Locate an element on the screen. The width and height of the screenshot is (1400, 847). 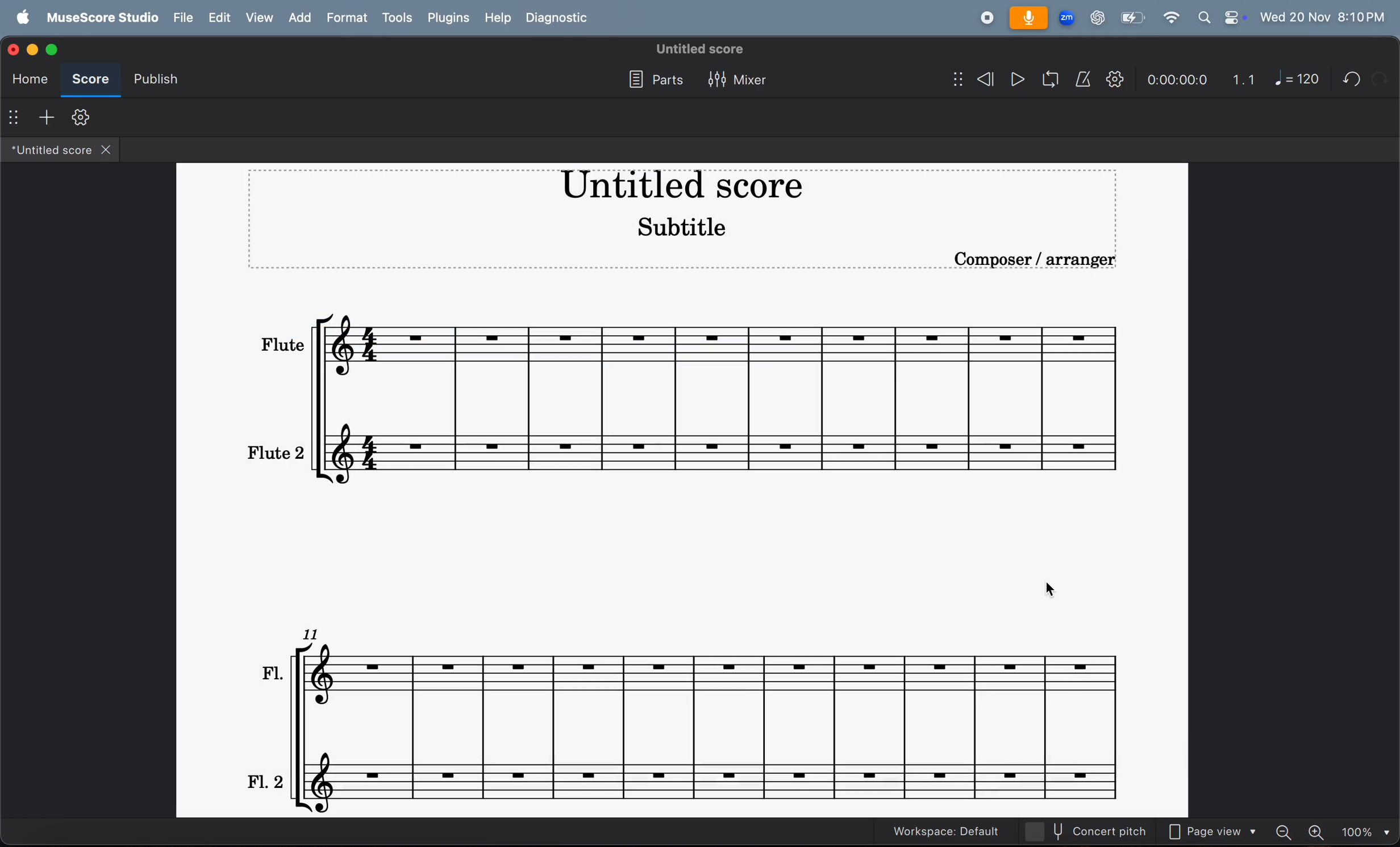
parts is located at coordinates (652, 77).